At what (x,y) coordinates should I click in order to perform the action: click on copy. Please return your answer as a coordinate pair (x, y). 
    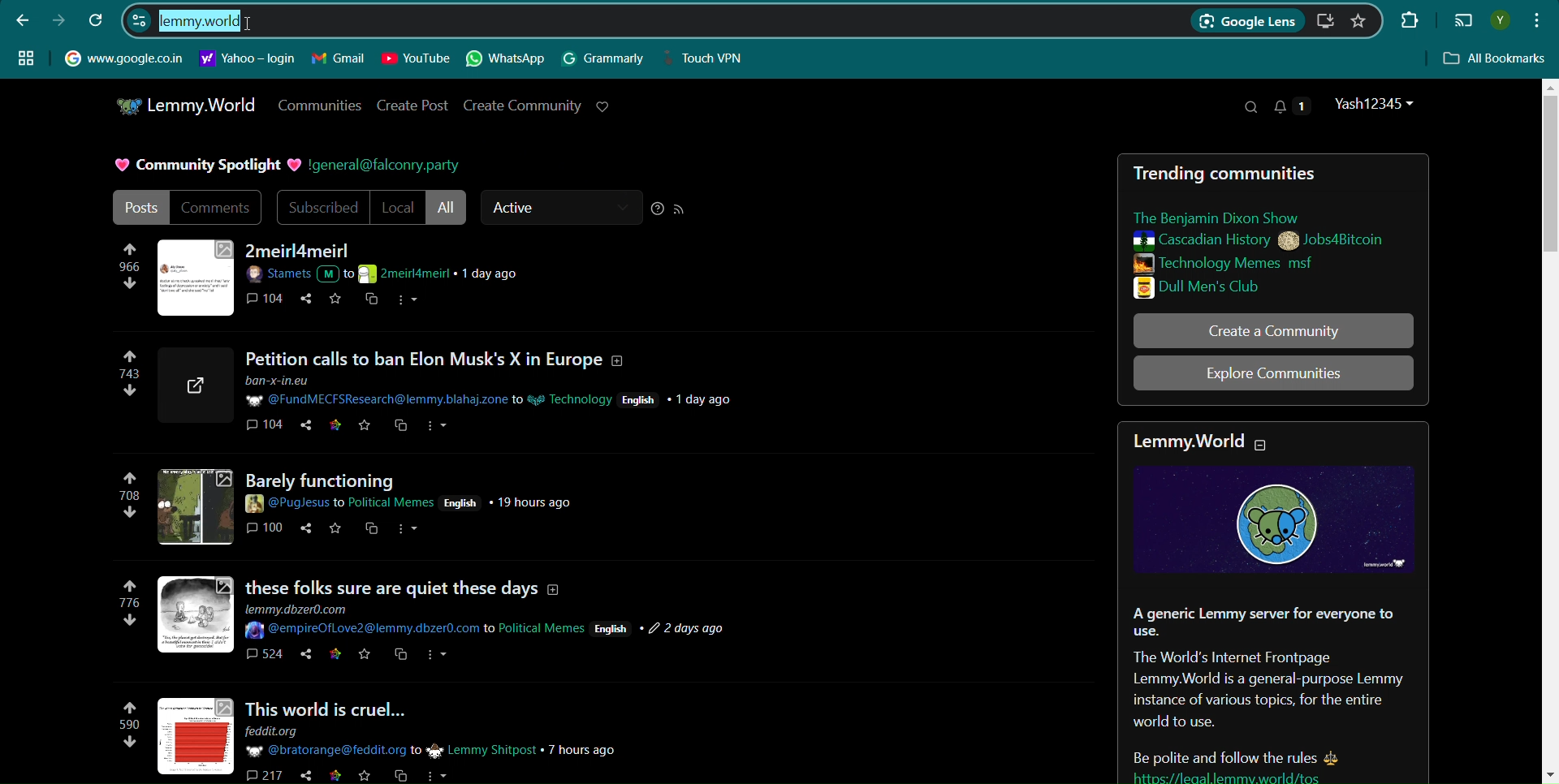
    Looking at the image, I should click on (397, 776).